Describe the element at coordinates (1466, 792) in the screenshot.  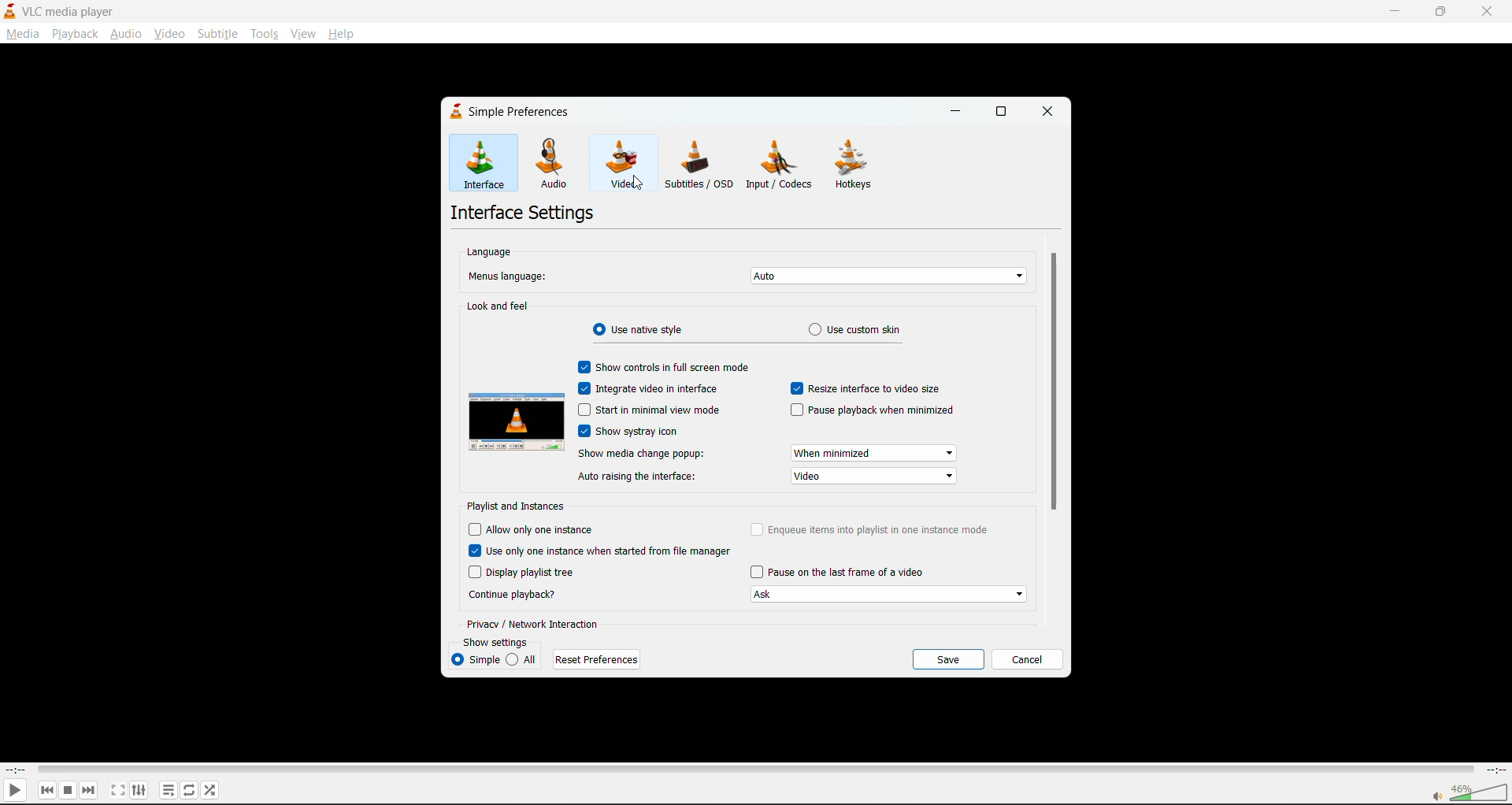
I see `volume` at that location.